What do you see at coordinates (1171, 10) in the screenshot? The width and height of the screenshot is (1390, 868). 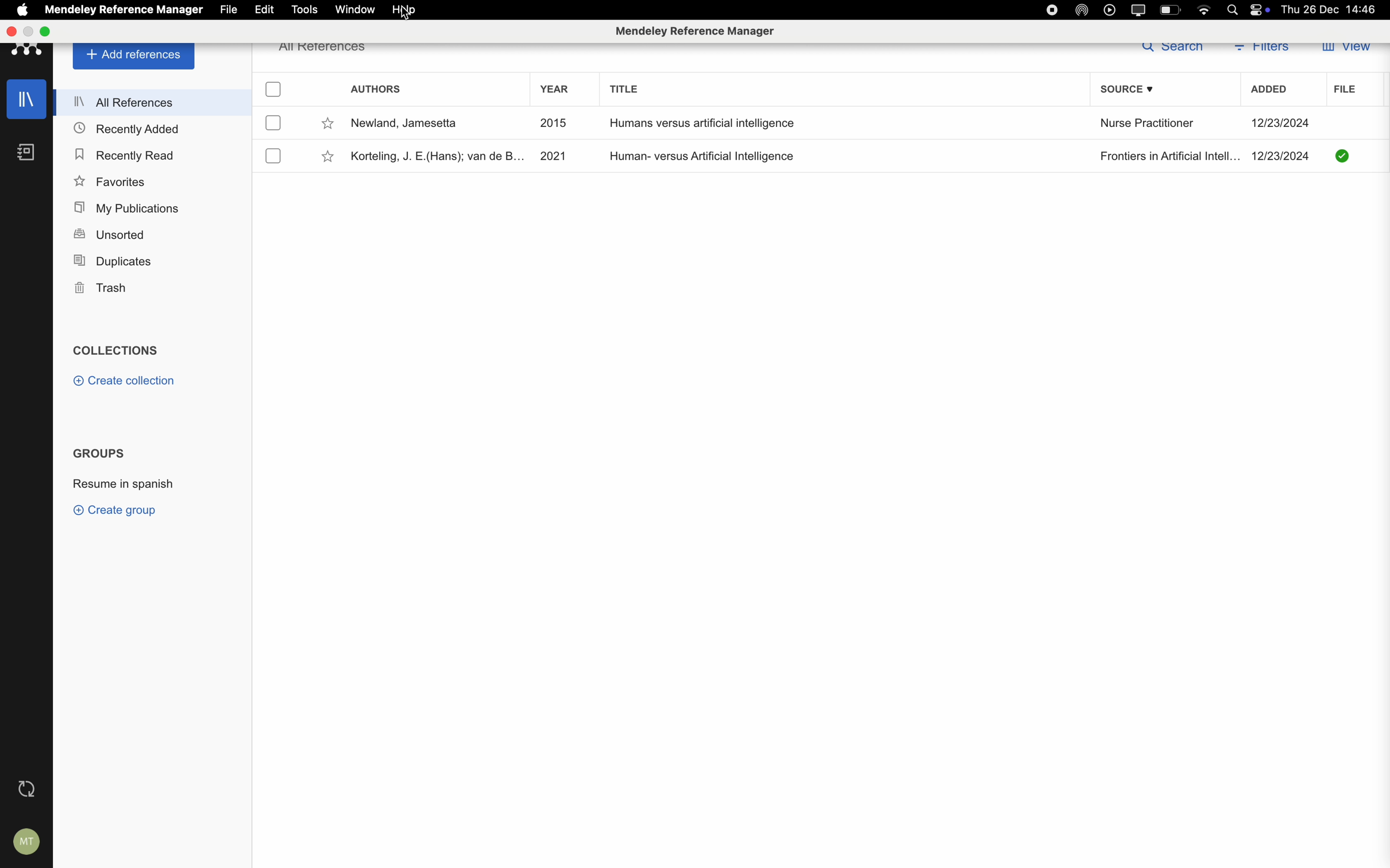 I see `battery` at bounding box center [1171, 10].